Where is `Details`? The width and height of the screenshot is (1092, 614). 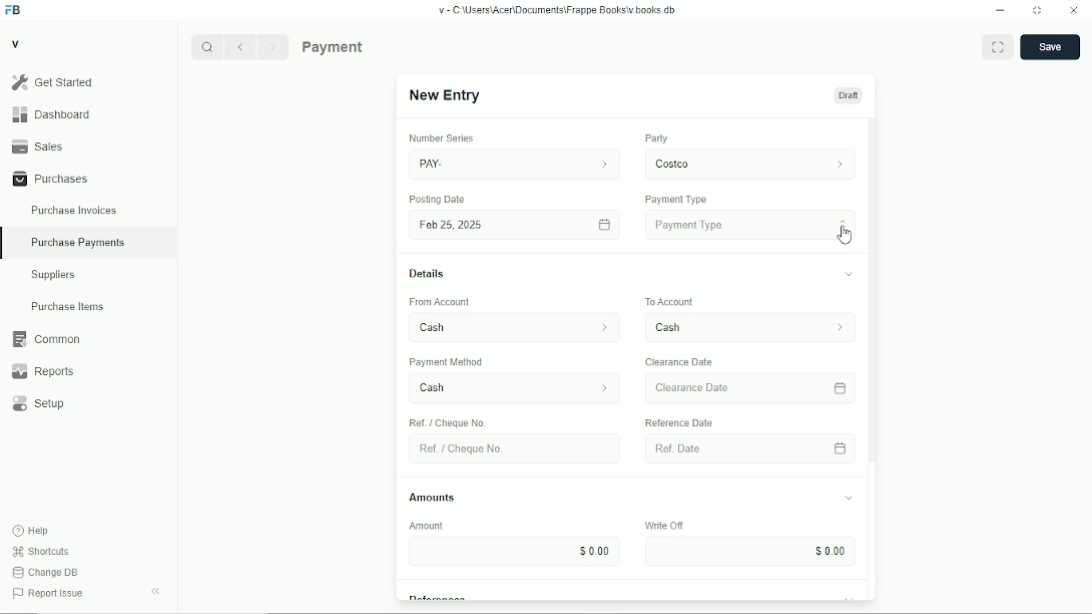
Details is located at coordinates (427, 274).